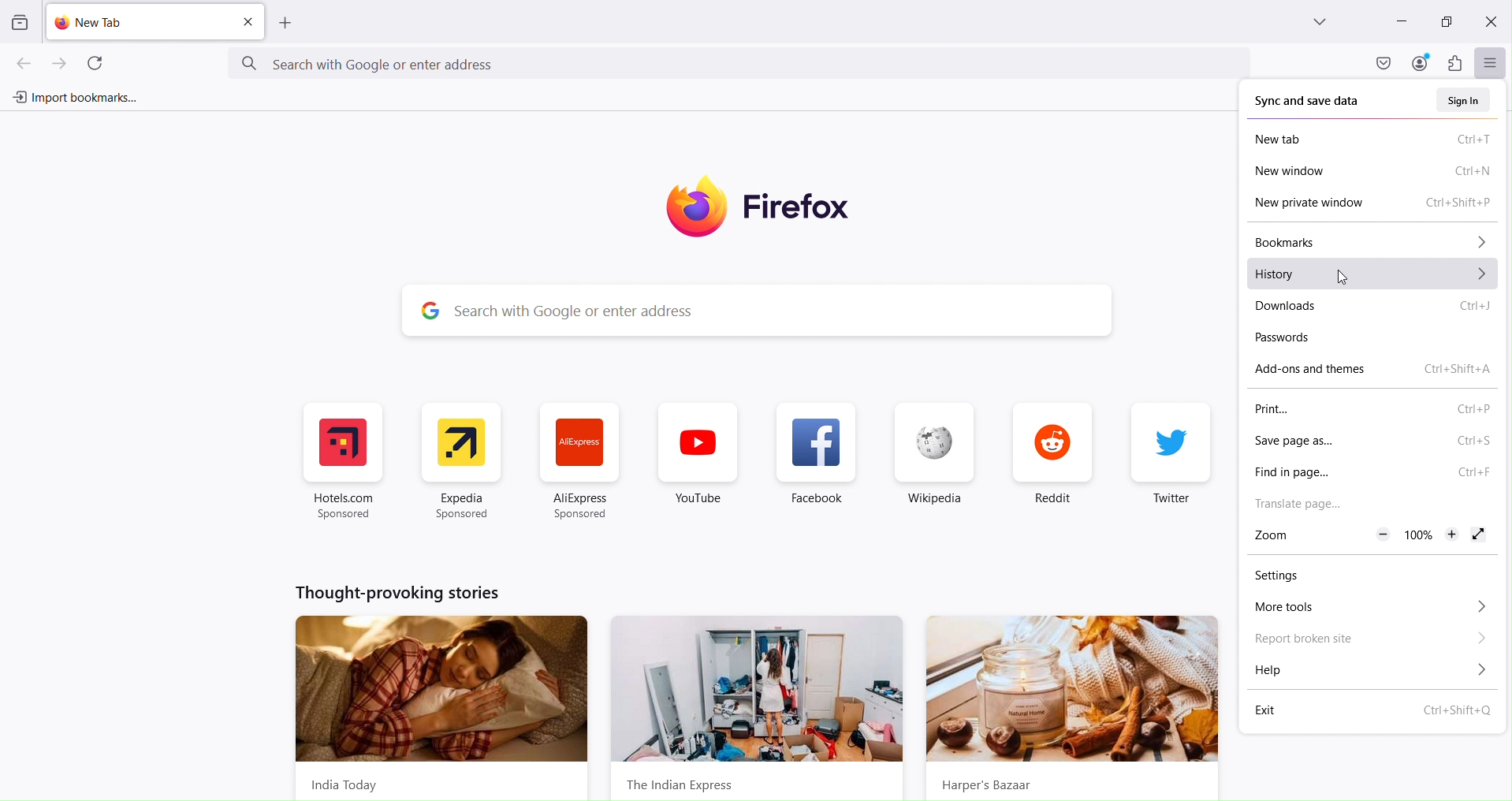 This screenshot has width=1512, height=801. Describe the element at coordinates (741, 64) in the screenshot. I see `Search google new address` at that location.